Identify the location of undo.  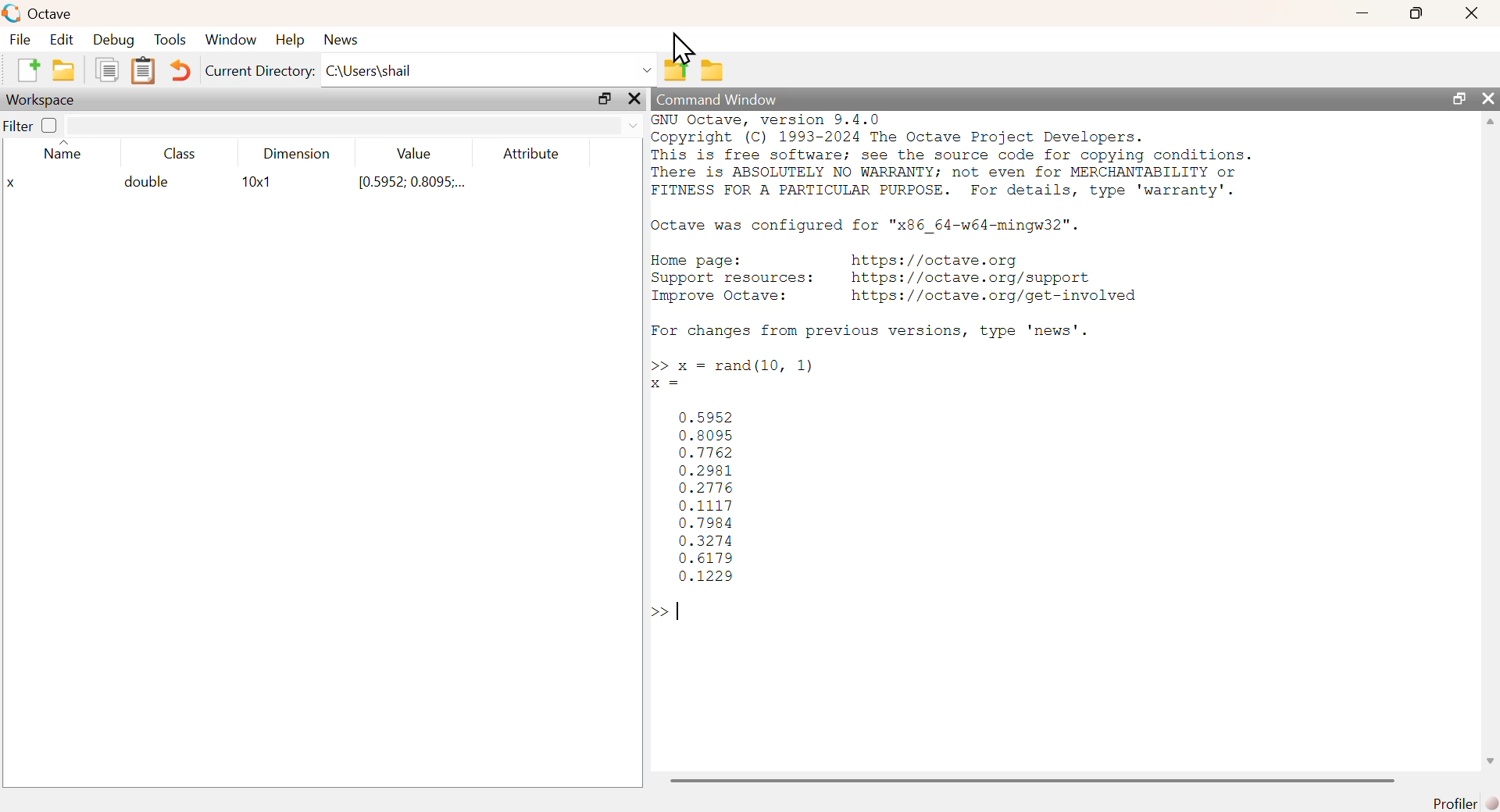
(184, 73).